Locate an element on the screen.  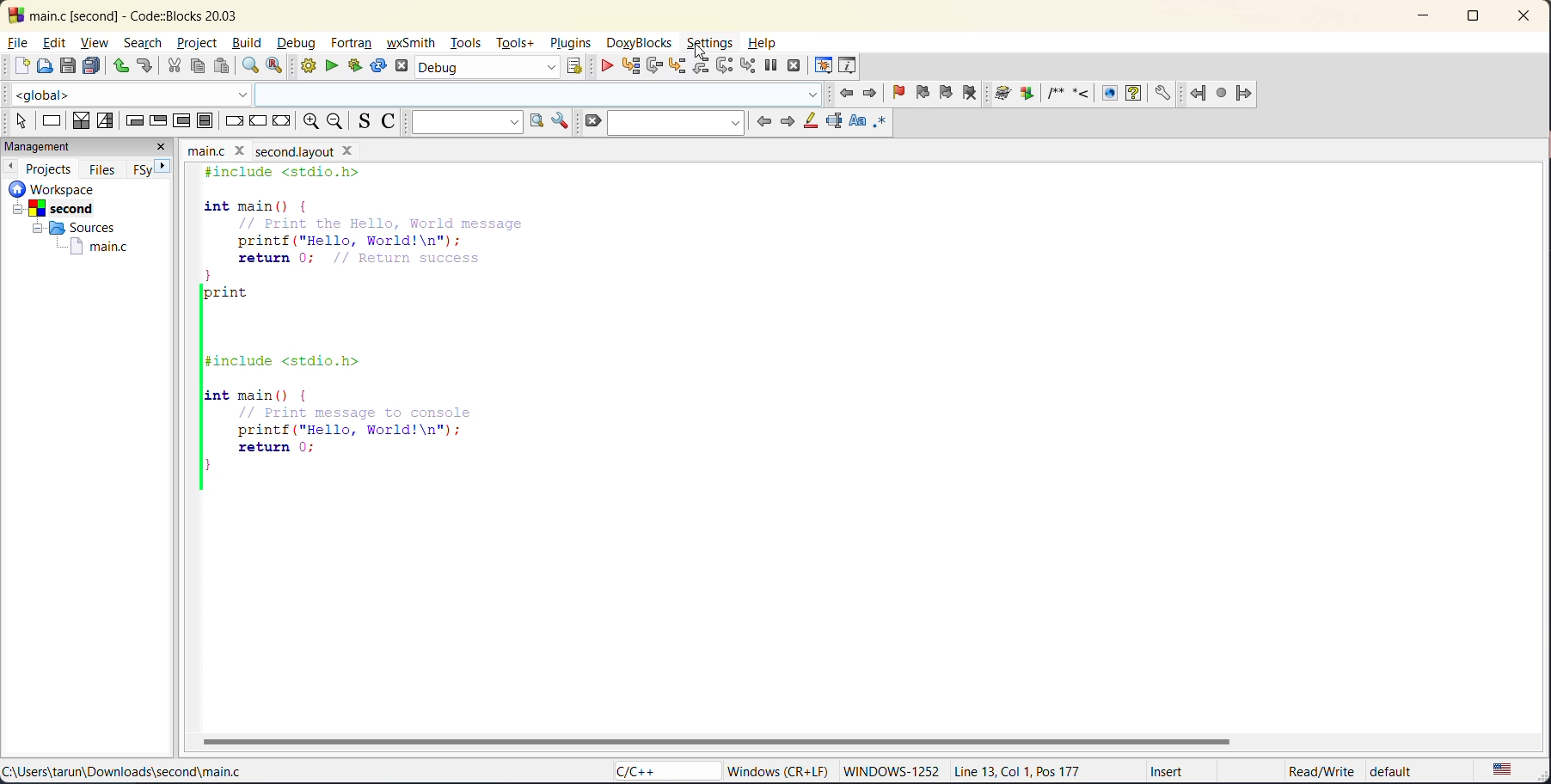
paste is located at coordinates (221, 66).